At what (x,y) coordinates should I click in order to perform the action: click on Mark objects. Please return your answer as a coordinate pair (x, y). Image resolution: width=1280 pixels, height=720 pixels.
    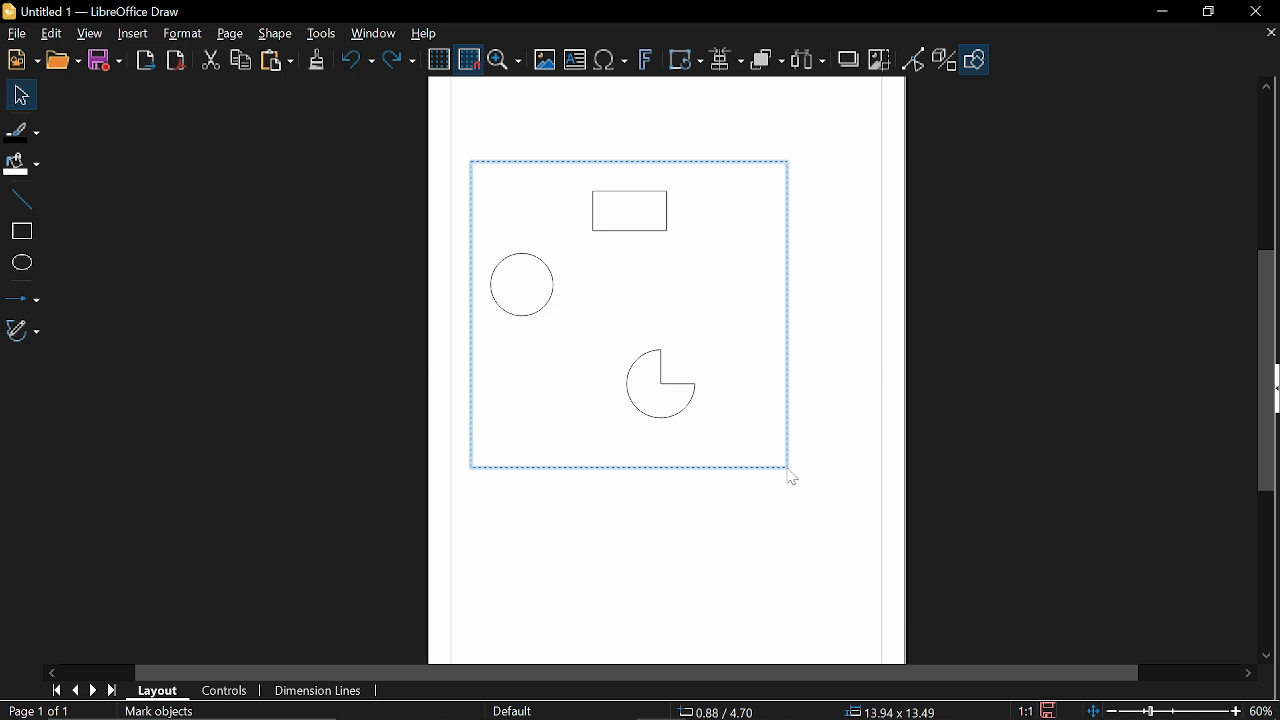
    Looking at the image, I should click on (168, 711).